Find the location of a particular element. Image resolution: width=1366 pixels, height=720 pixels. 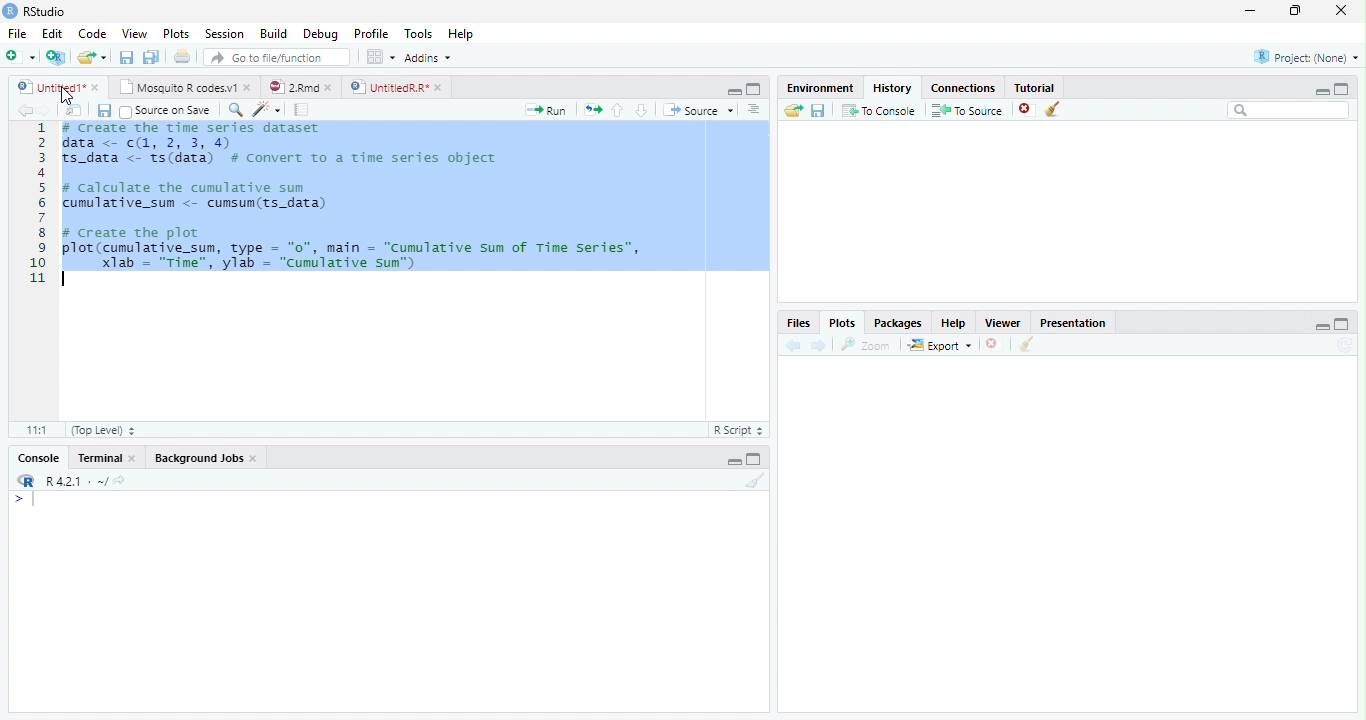

Show in new window is located at coordinates (73, 113).